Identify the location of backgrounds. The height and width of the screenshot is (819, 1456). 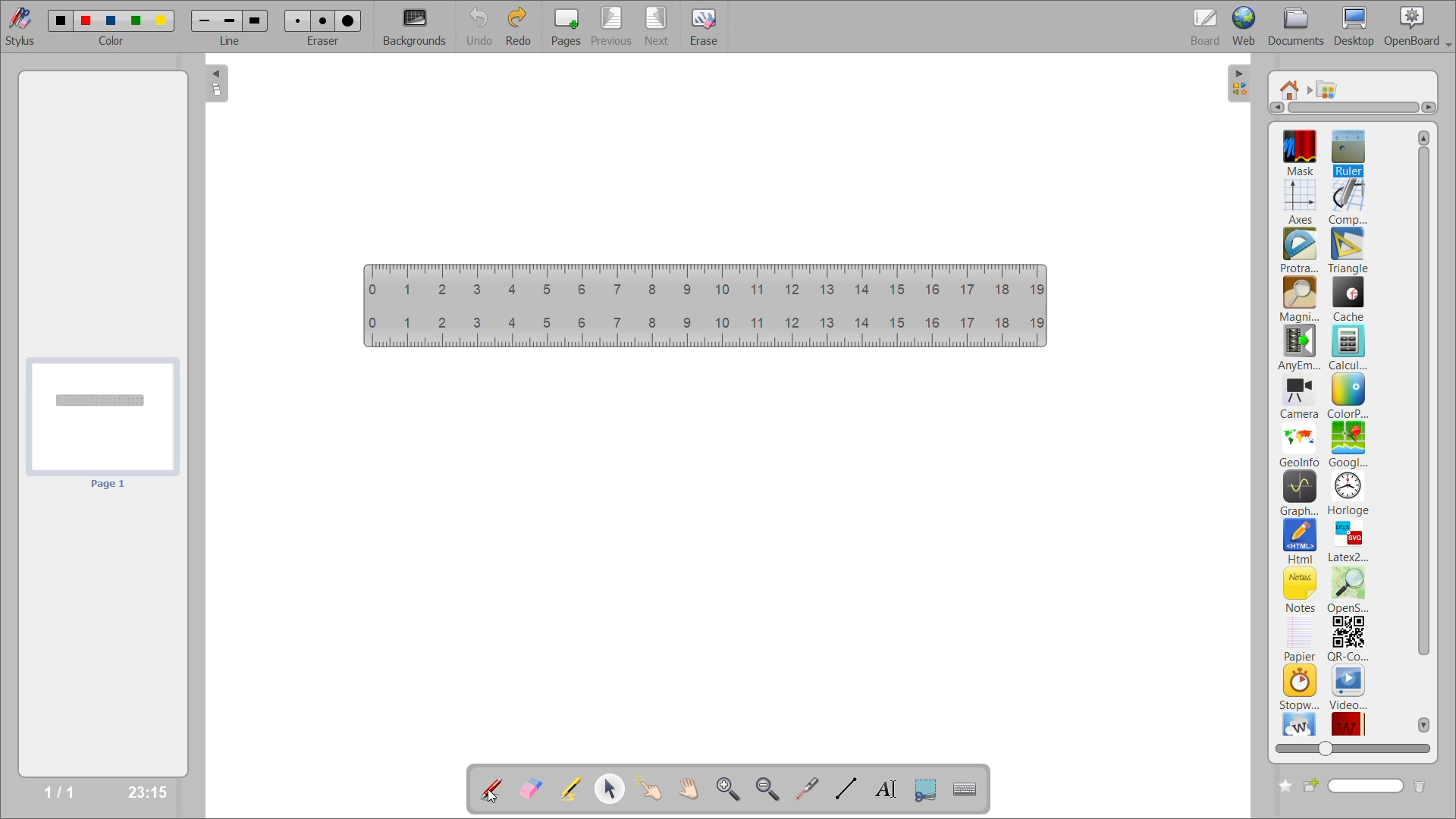
(417, 27).